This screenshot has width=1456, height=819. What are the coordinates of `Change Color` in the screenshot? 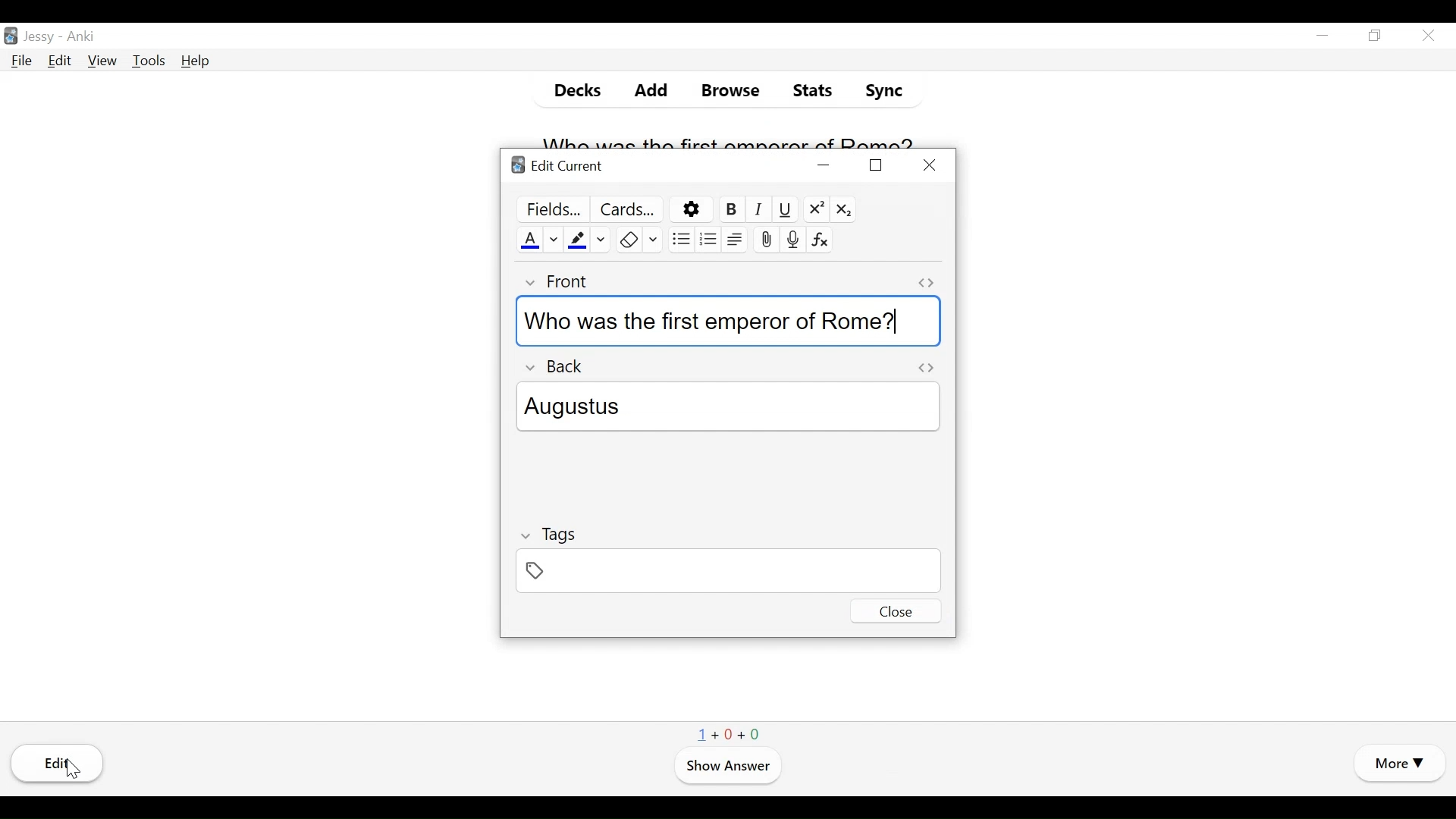 It's located at (554, 238).